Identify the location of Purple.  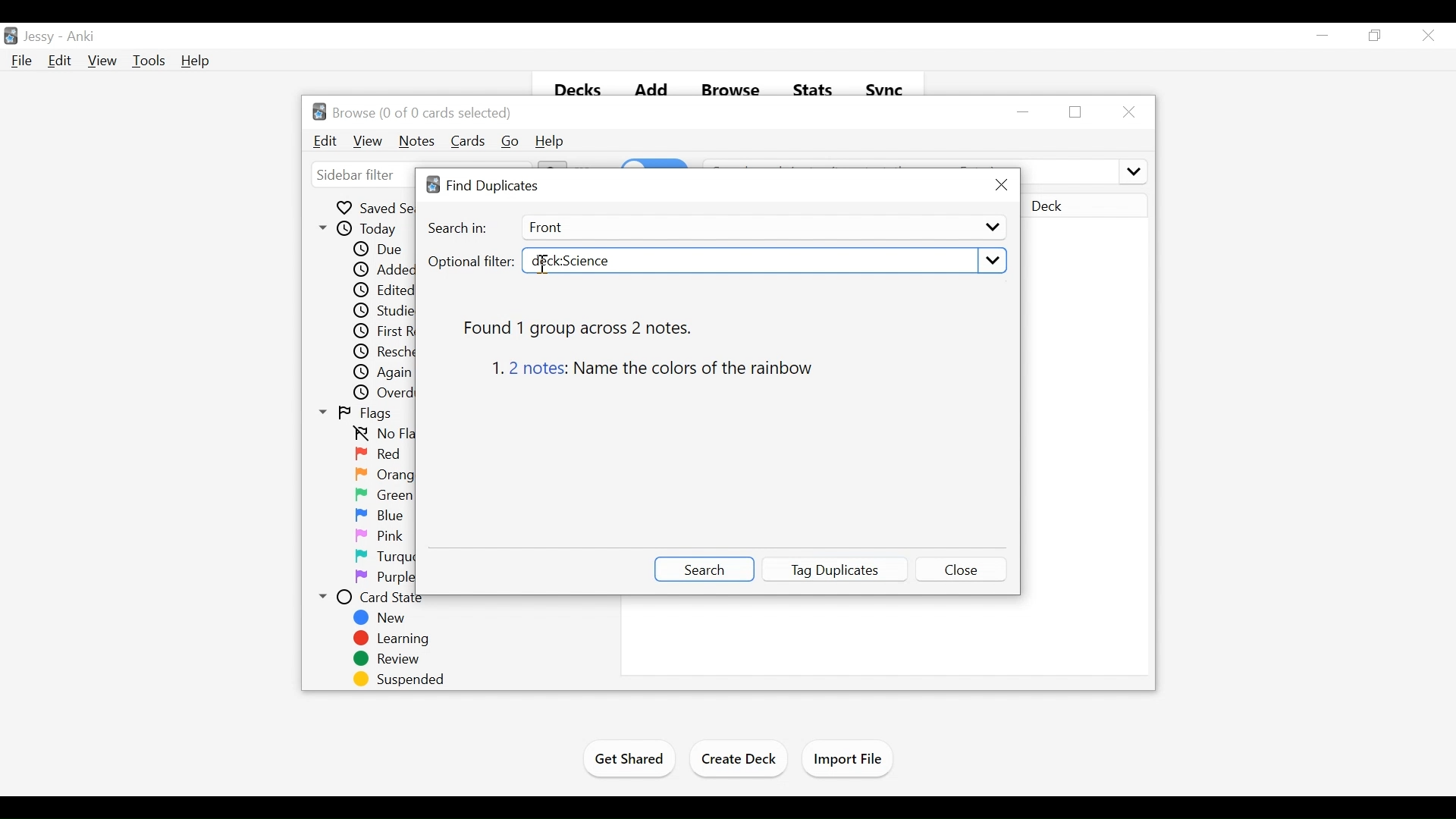
(385, 578).